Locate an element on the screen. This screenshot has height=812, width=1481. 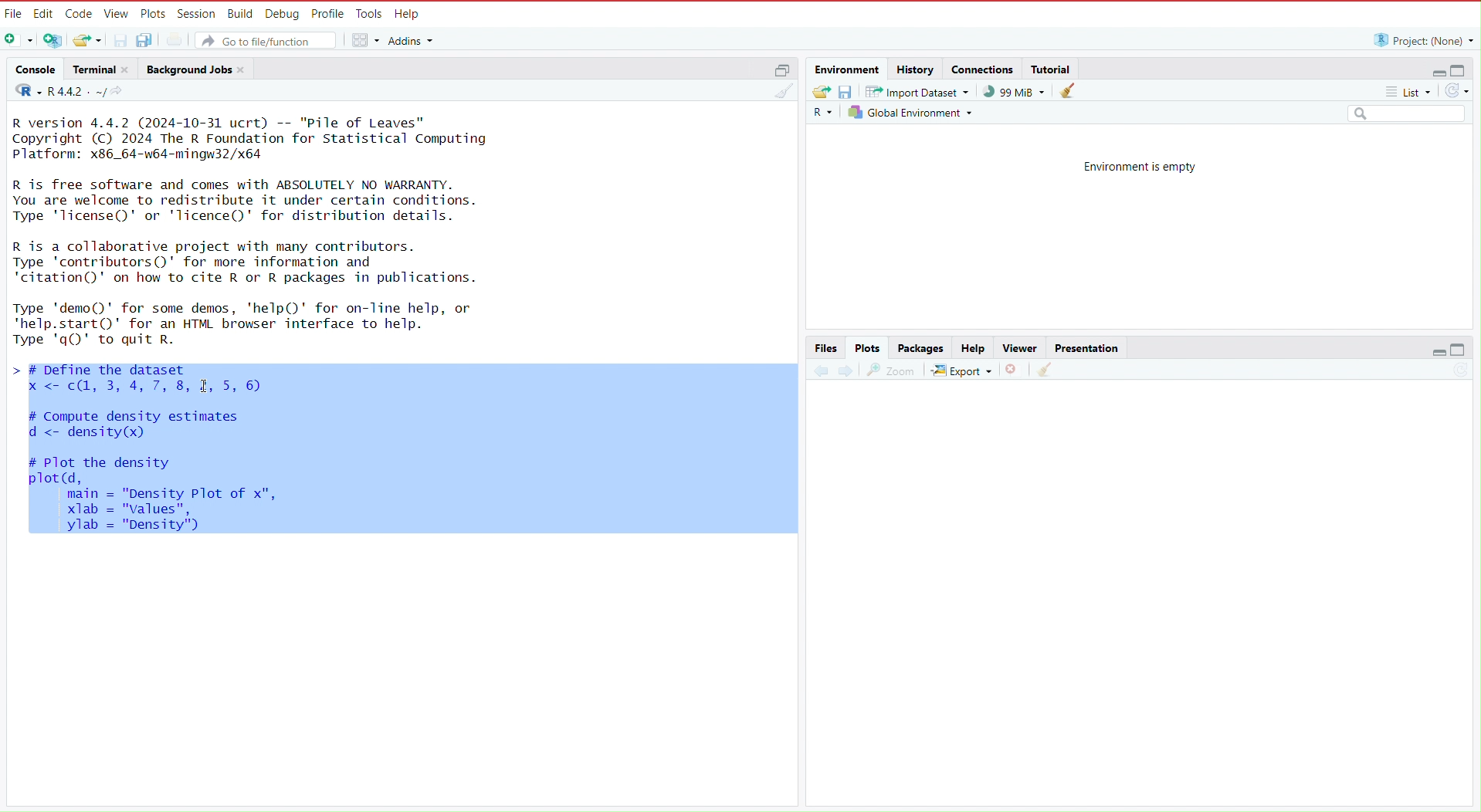
go to file/function is located at coordinates (268, 40).